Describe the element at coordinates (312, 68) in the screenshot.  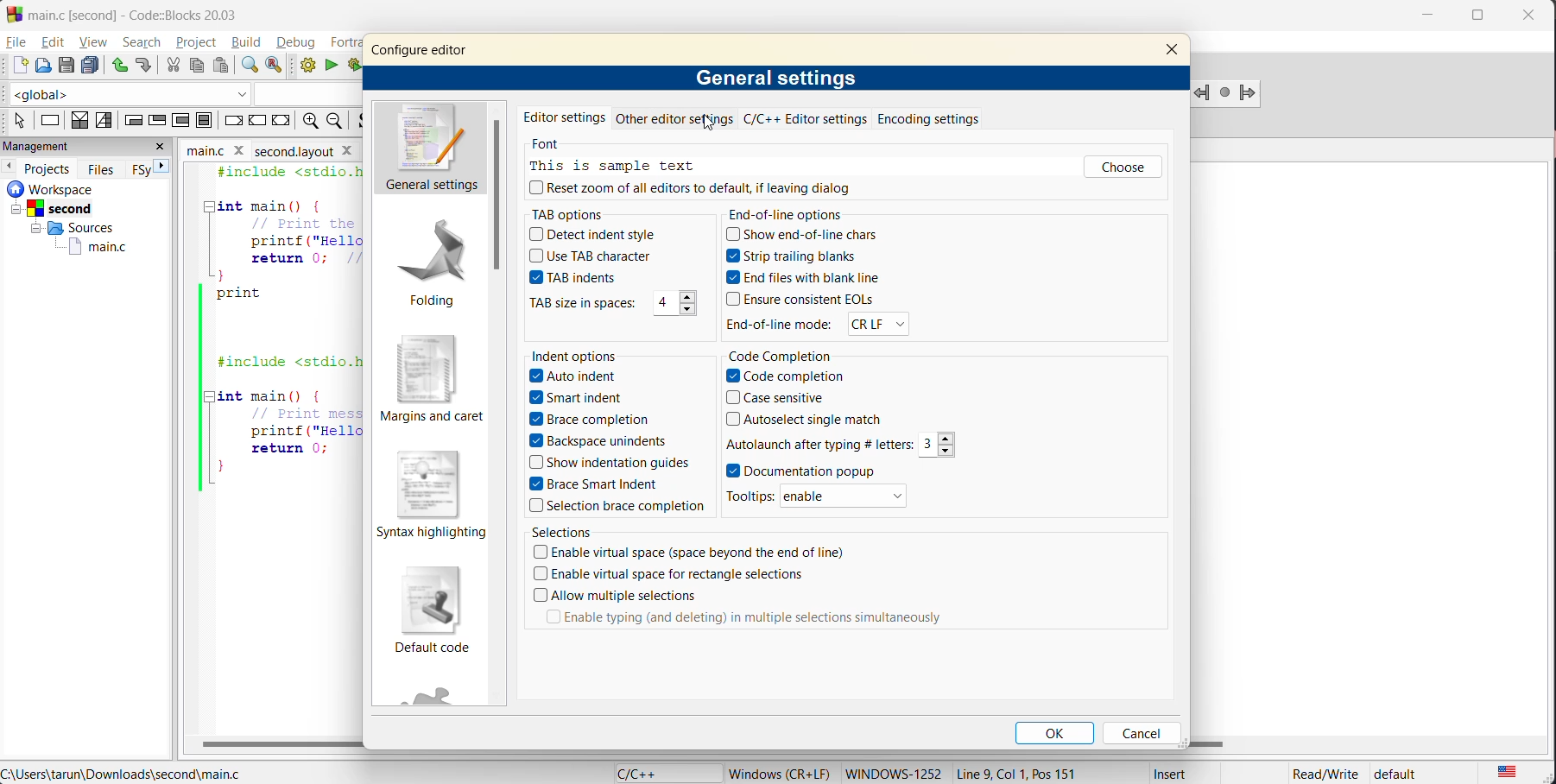
I see `build` at that location.